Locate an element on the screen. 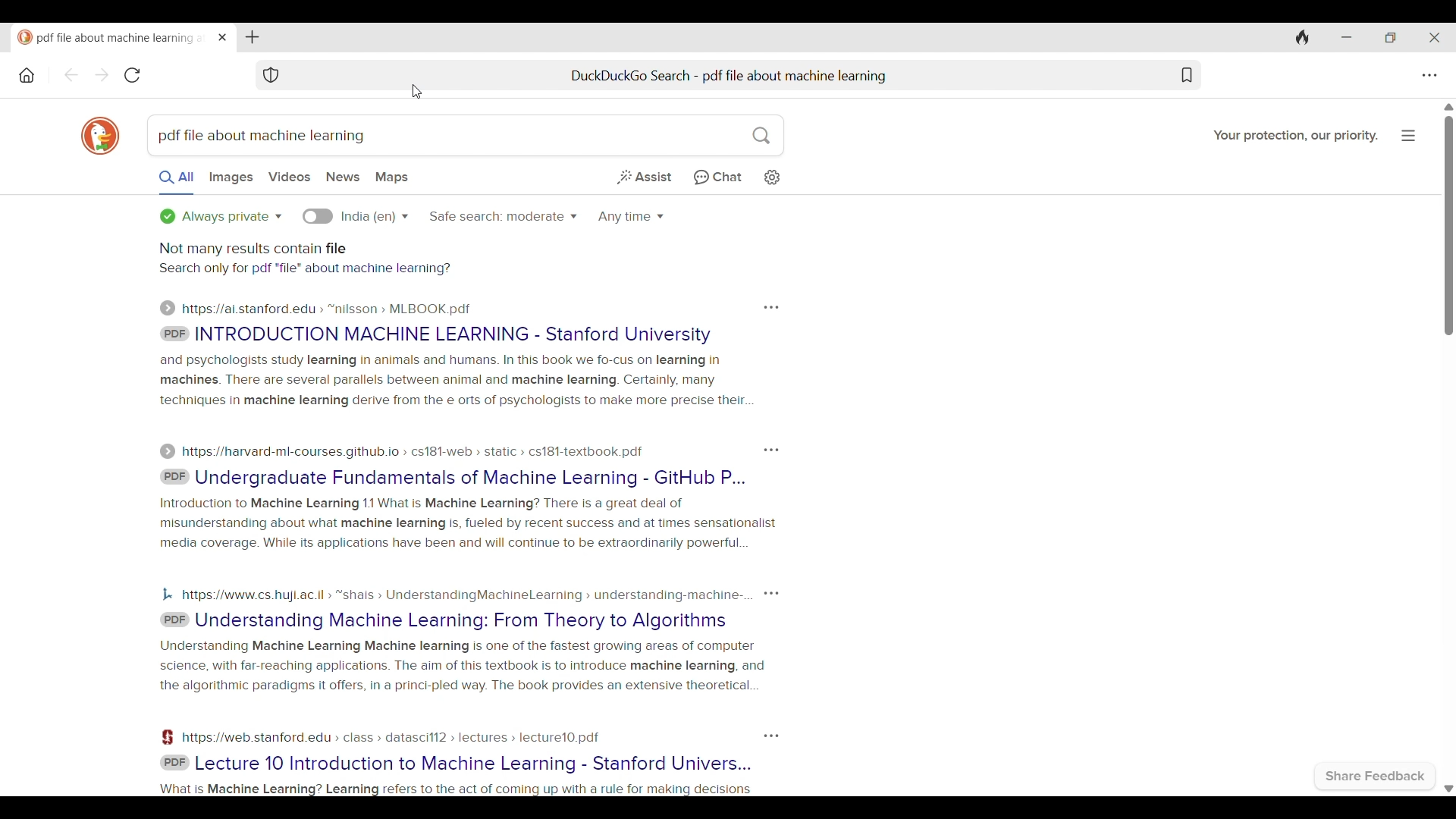  Feedback loop of respective result is located at coordinates (771, 308).